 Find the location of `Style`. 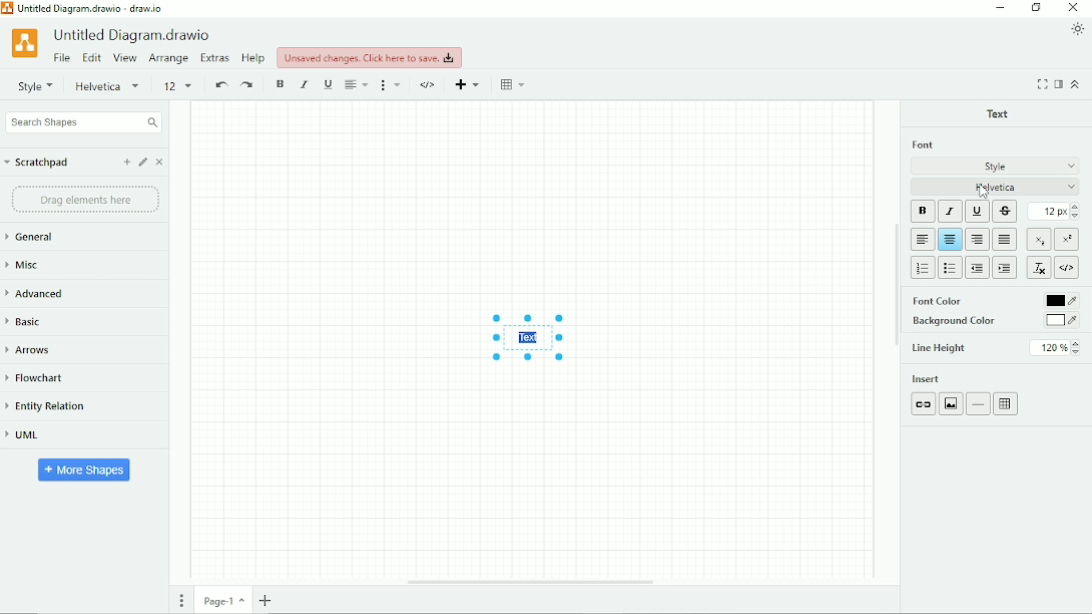

Style is located at coordinates (35, 86).